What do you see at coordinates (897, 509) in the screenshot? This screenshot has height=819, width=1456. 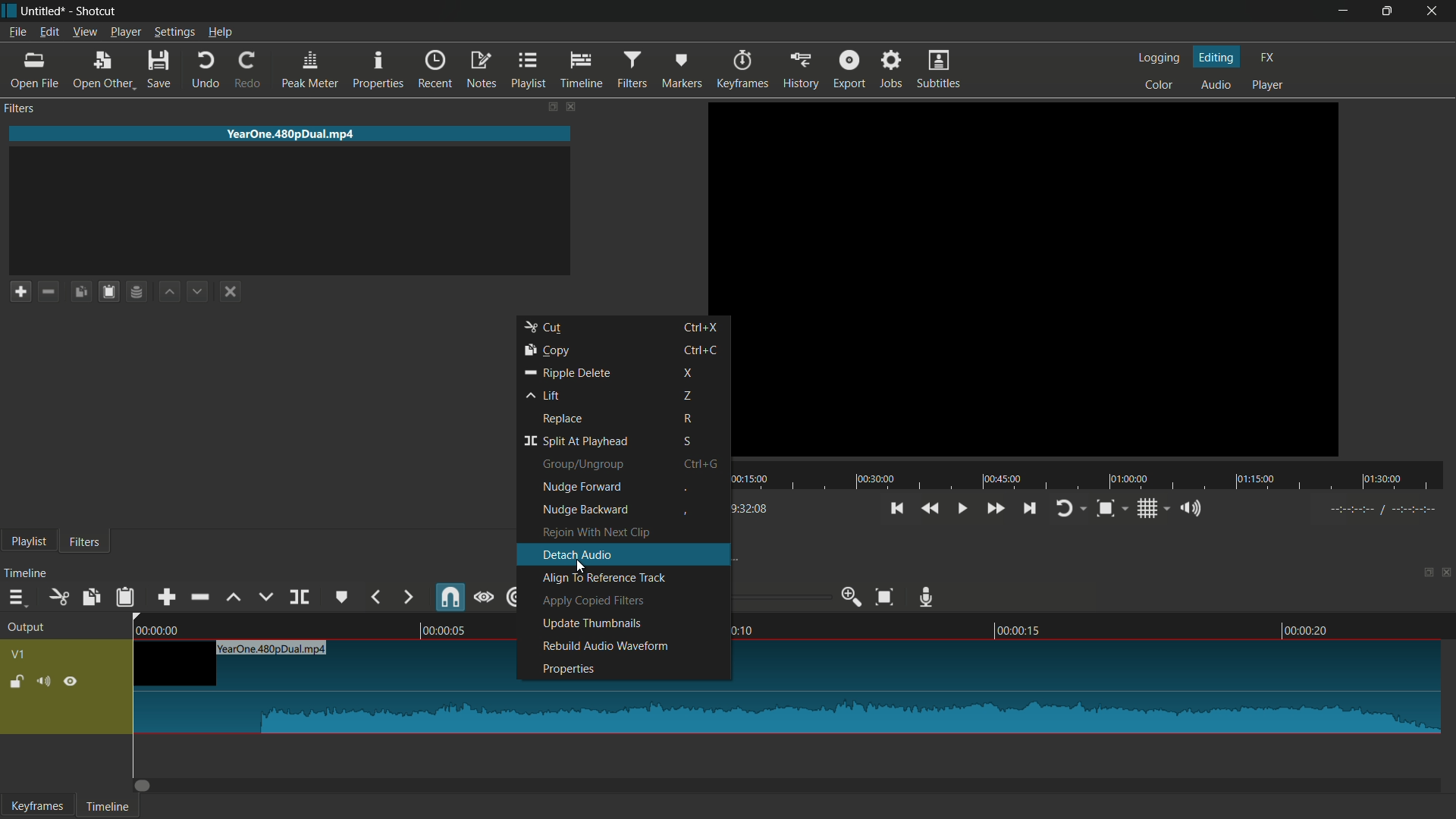 I see `skip to the previous point` at bounding box center [897, 509].